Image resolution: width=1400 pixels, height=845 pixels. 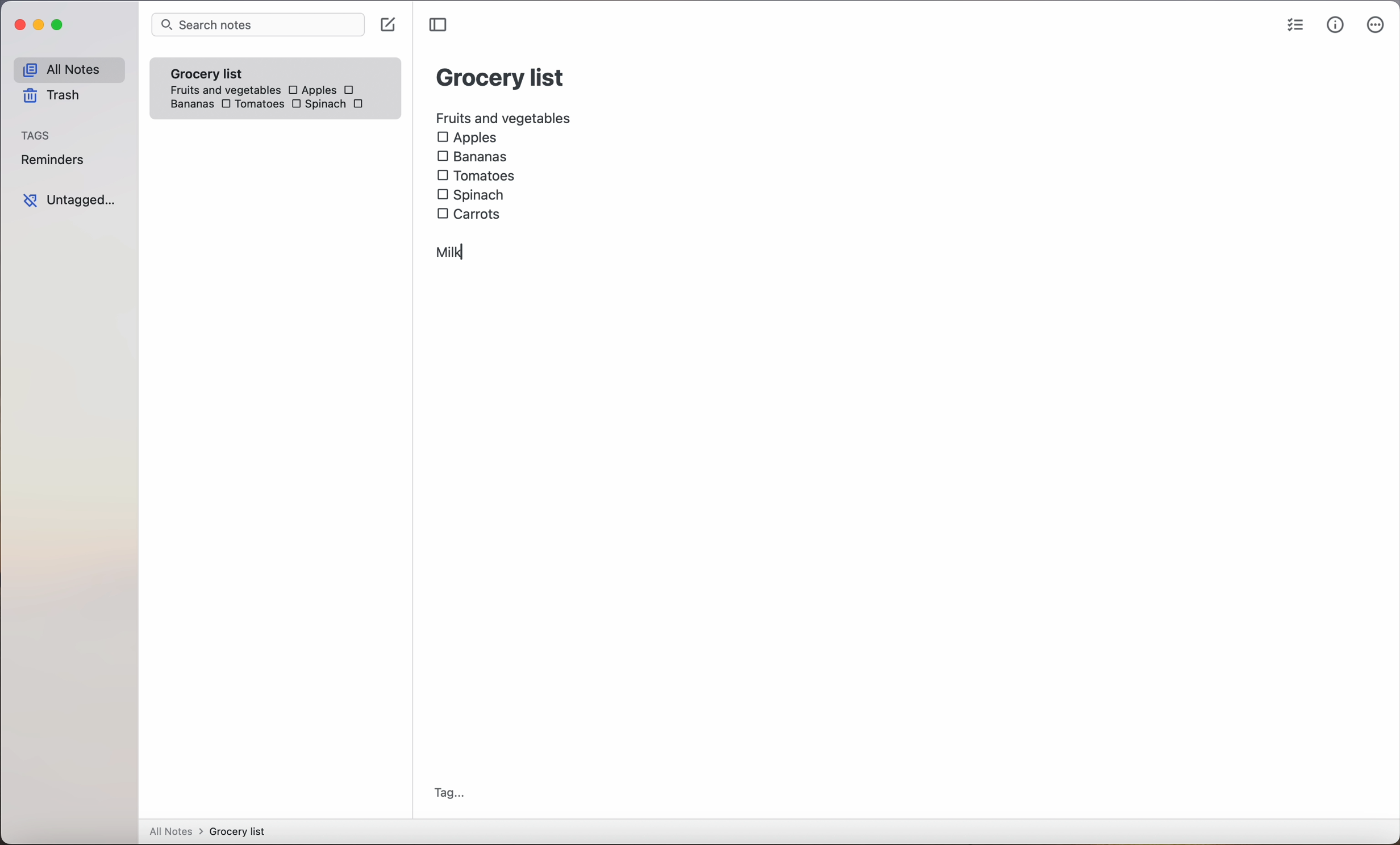 I want to click on bananas, so click(x=190, y=104).